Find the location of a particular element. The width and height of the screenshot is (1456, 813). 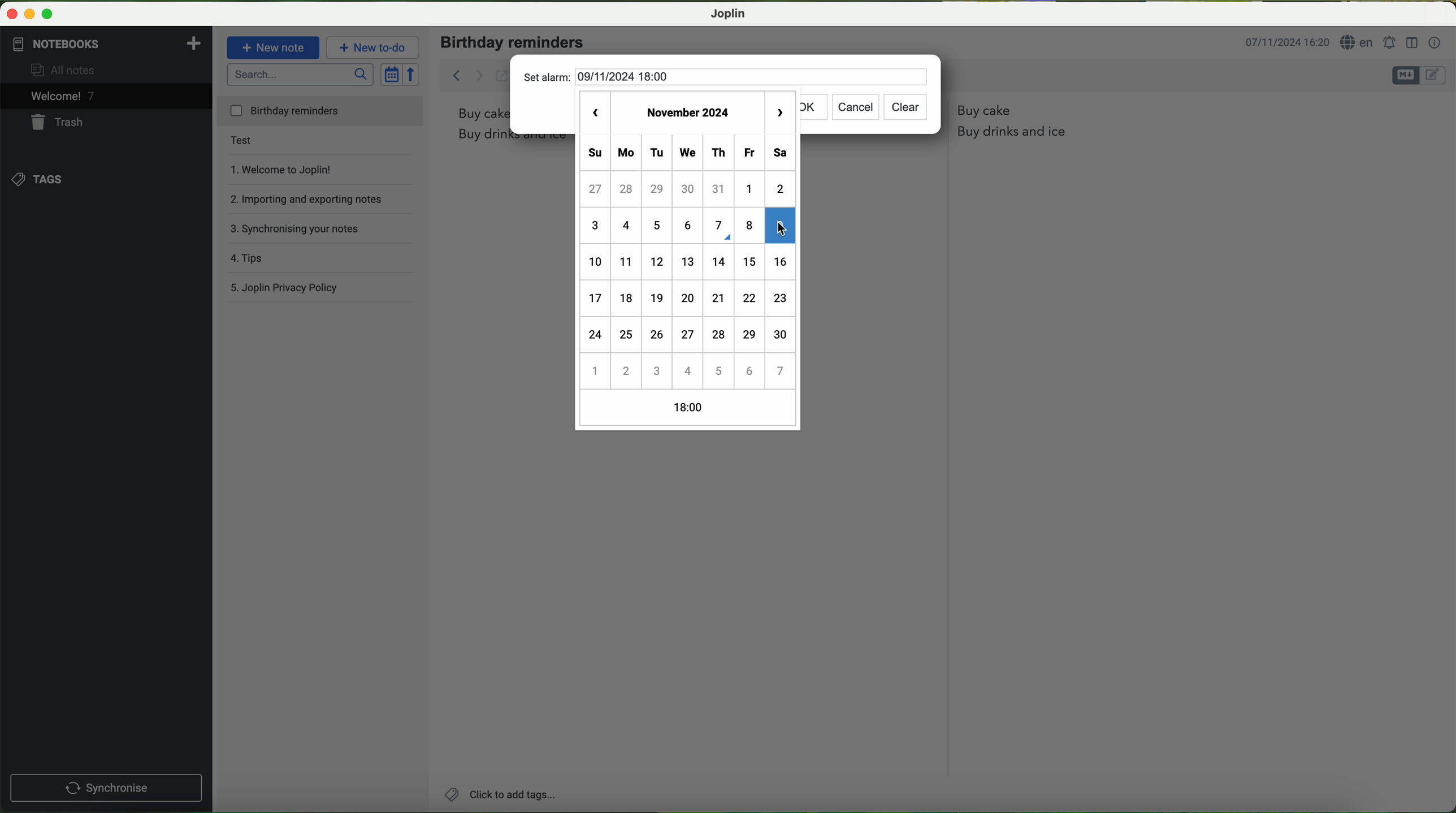

toggle editors is located at coordinates (1420, 76).